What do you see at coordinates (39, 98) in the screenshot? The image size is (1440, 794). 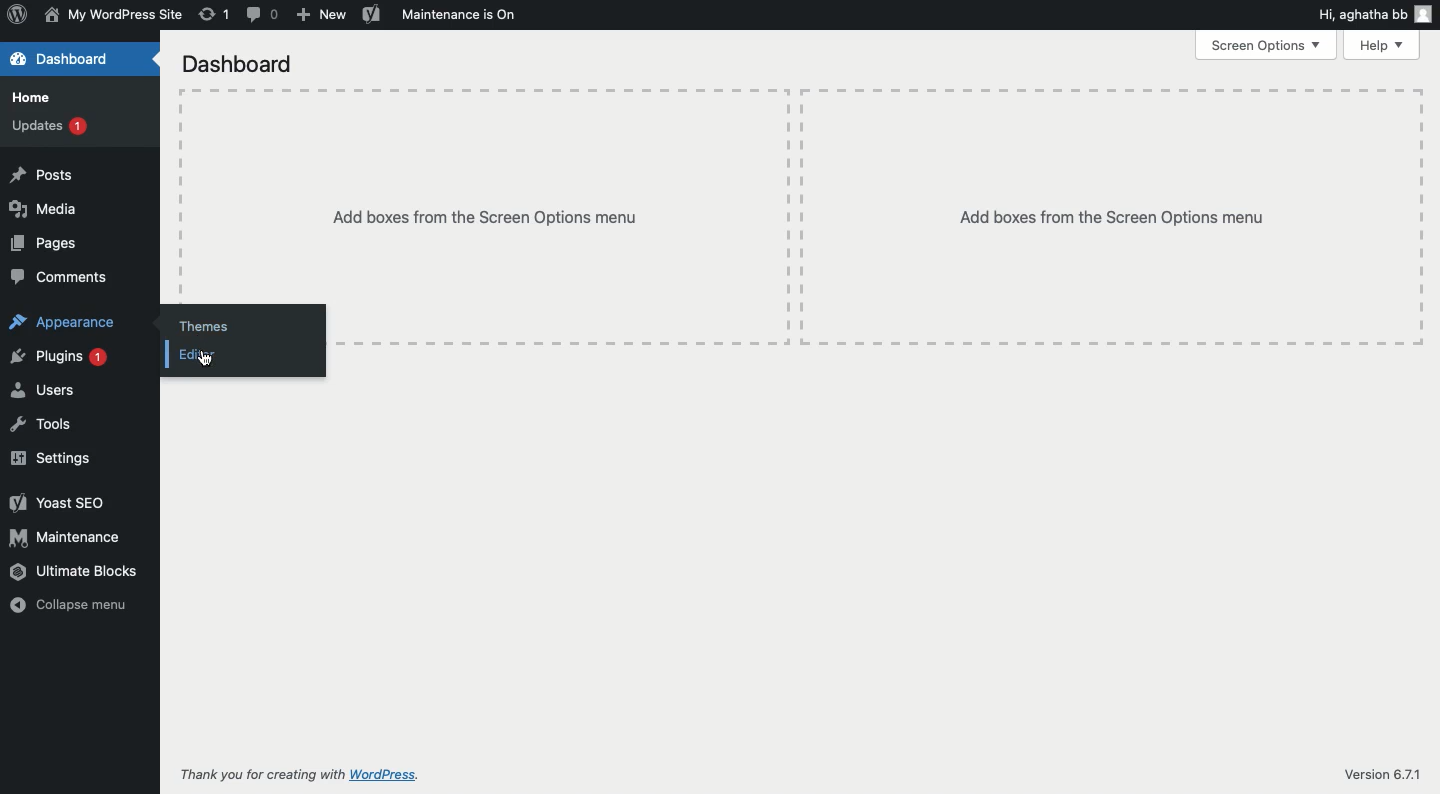 I see `Home` at bounding box center [39, 98].